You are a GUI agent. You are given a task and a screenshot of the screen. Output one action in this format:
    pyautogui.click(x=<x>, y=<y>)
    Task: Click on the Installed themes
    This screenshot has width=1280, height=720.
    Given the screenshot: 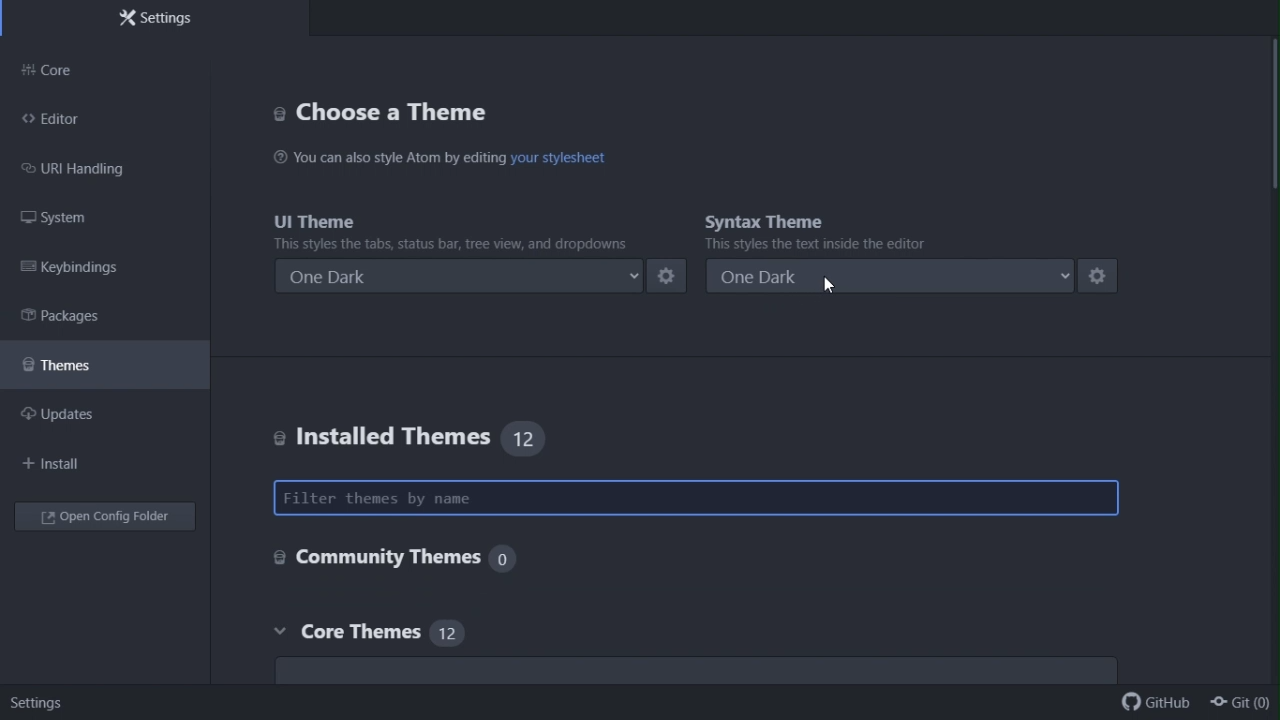 What is the action you would take?
    pyautogui.click(x=403, y=433)
    